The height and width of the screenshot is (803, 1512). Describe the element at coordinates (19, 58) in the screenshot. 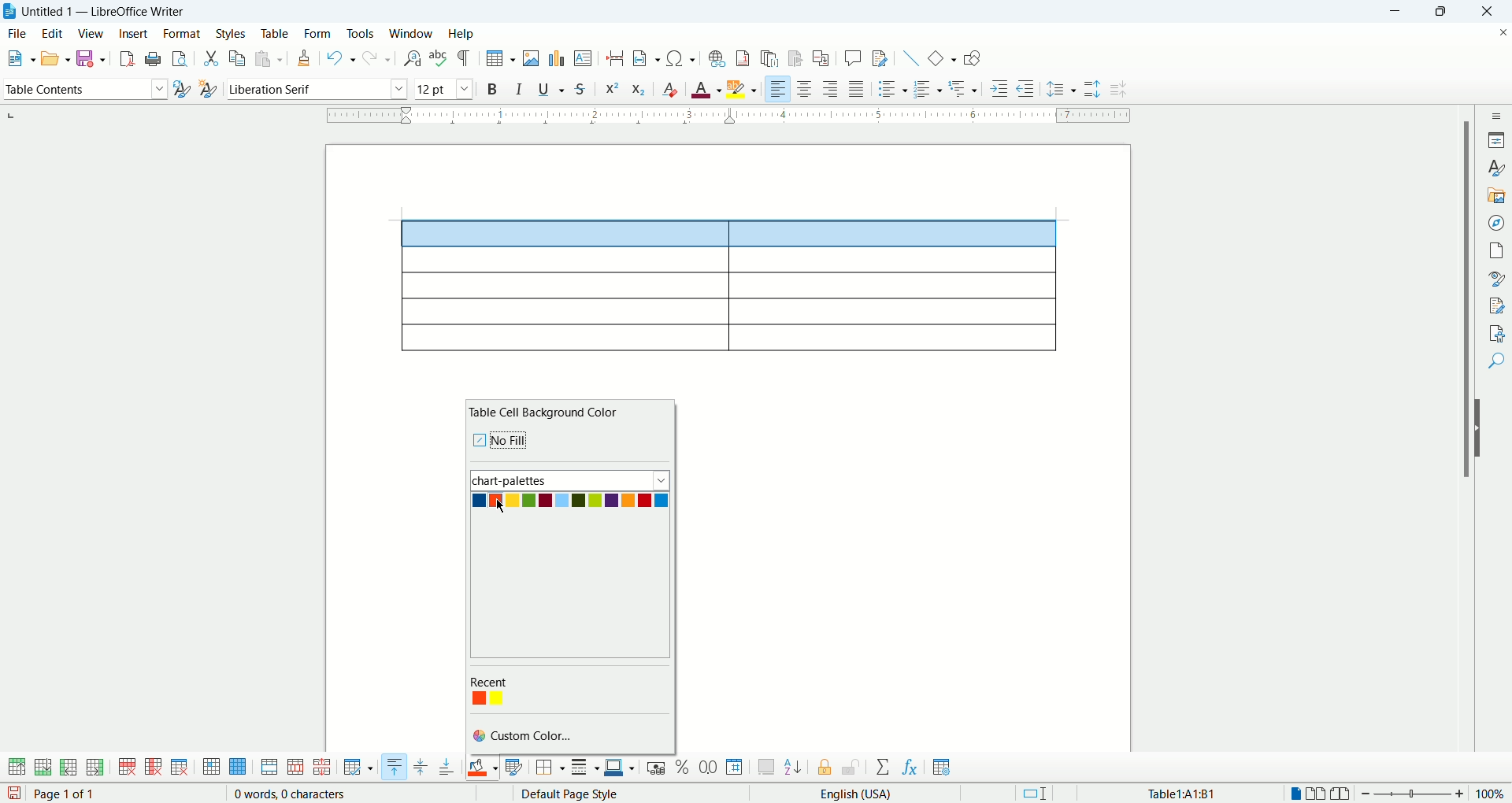

I see `new` at that location.